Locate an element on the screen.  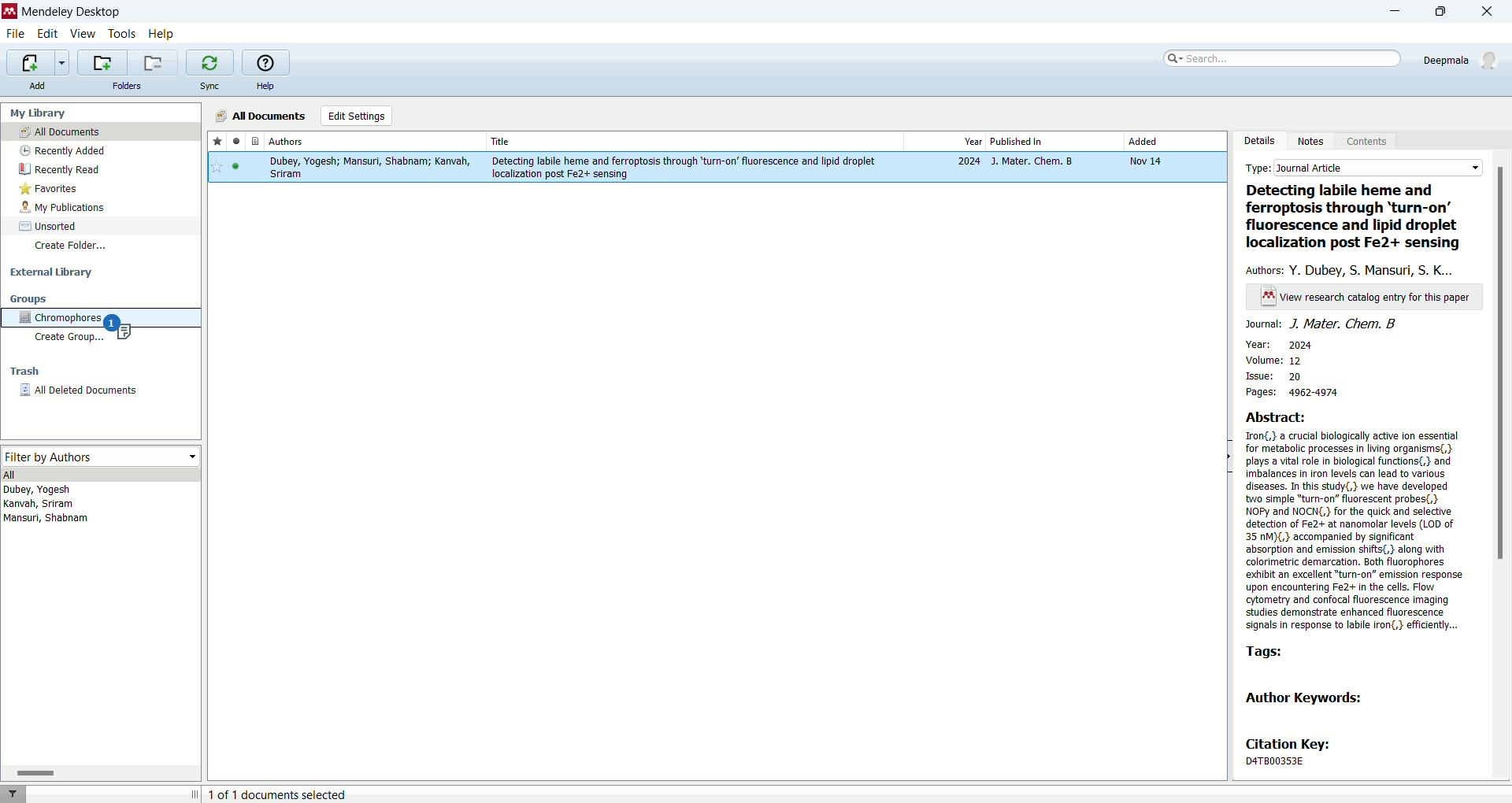
read/unread is located at coordinates (234, 141).